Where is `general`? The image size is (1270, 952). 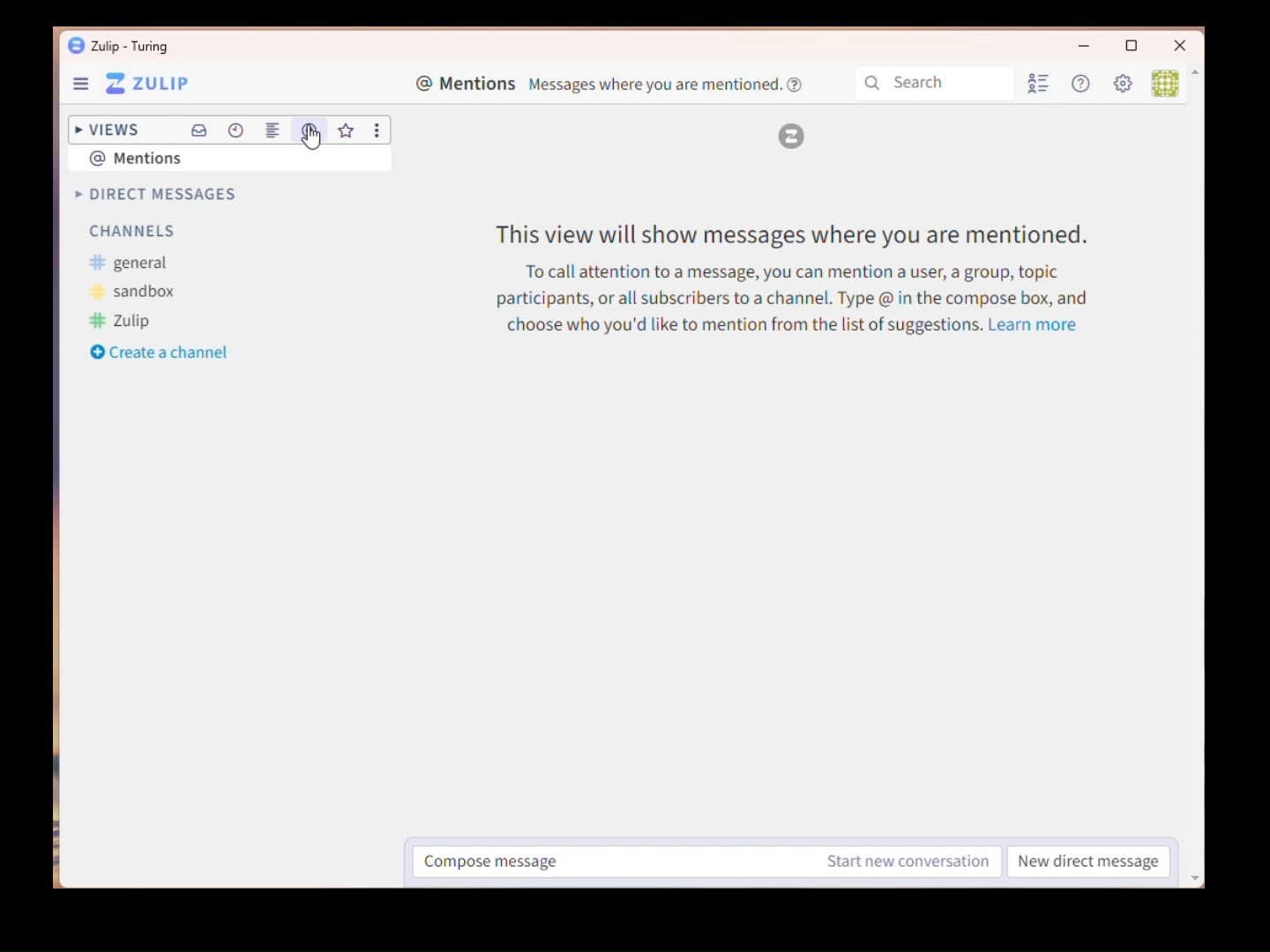
general is located at coordinates (130, 264).